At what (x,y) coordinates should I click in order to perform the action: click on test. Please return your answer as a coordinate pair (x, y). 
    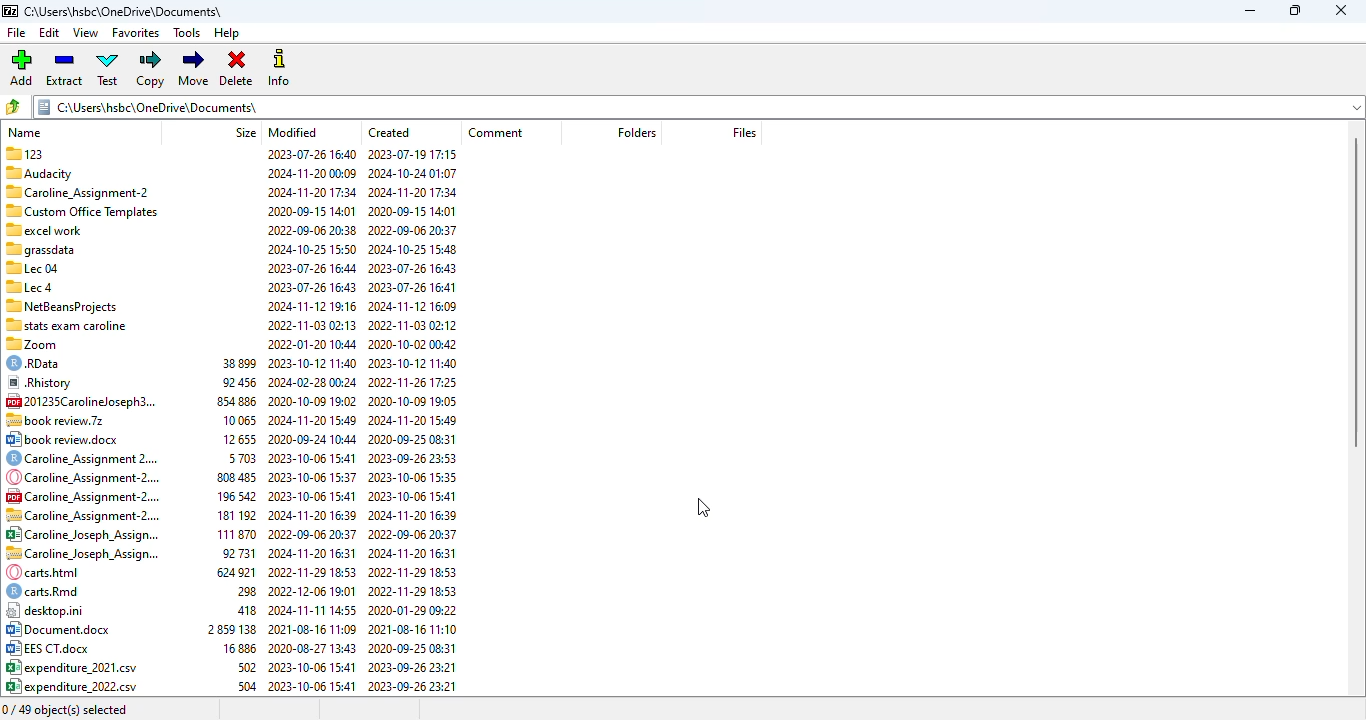
    Looking at the image, I should click on (108, 68).